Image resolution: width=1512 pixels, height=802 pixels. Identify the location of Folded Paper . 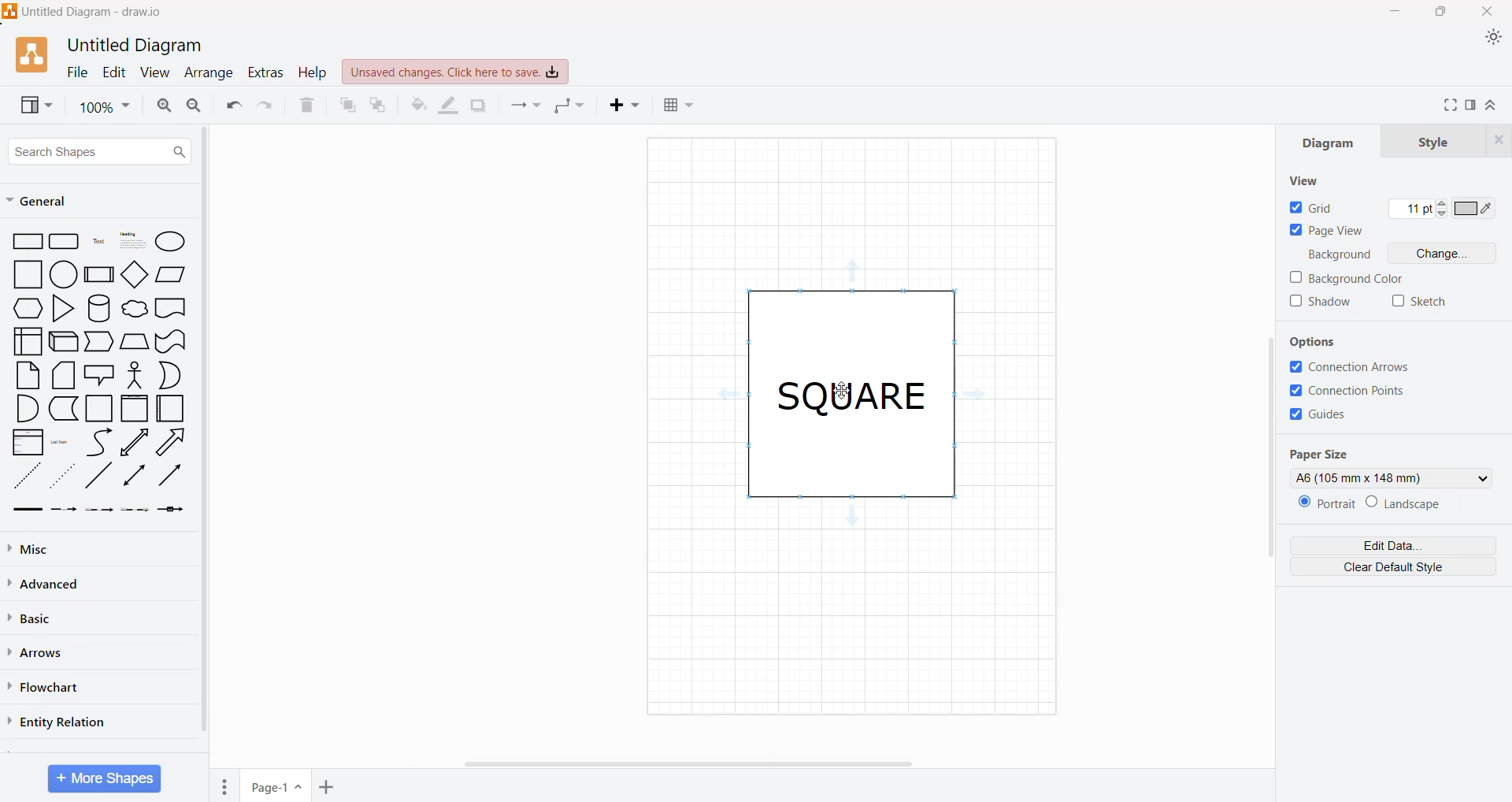
(172, 409).